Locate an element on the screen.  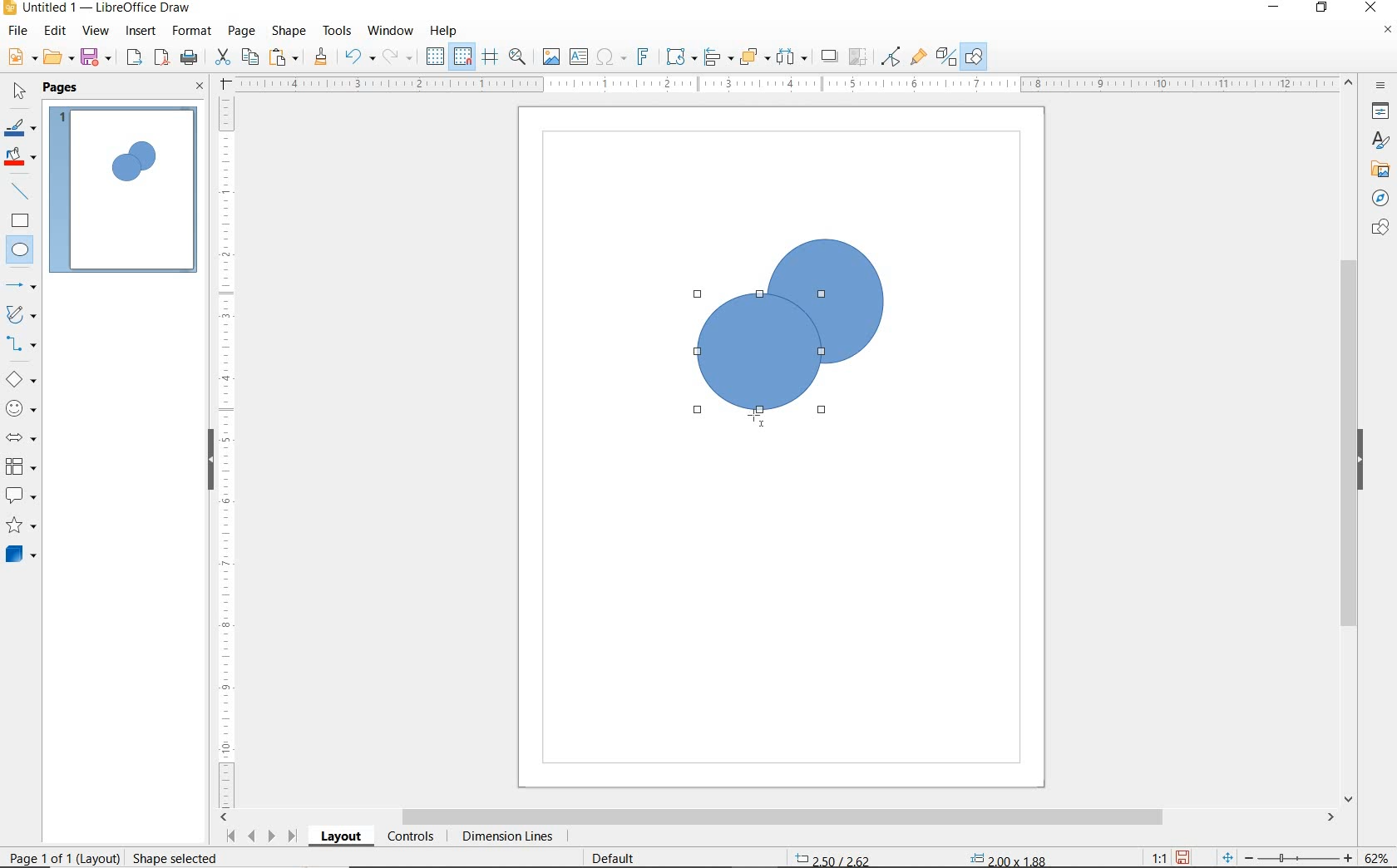
OPEN is located at coordinates (58, 59).